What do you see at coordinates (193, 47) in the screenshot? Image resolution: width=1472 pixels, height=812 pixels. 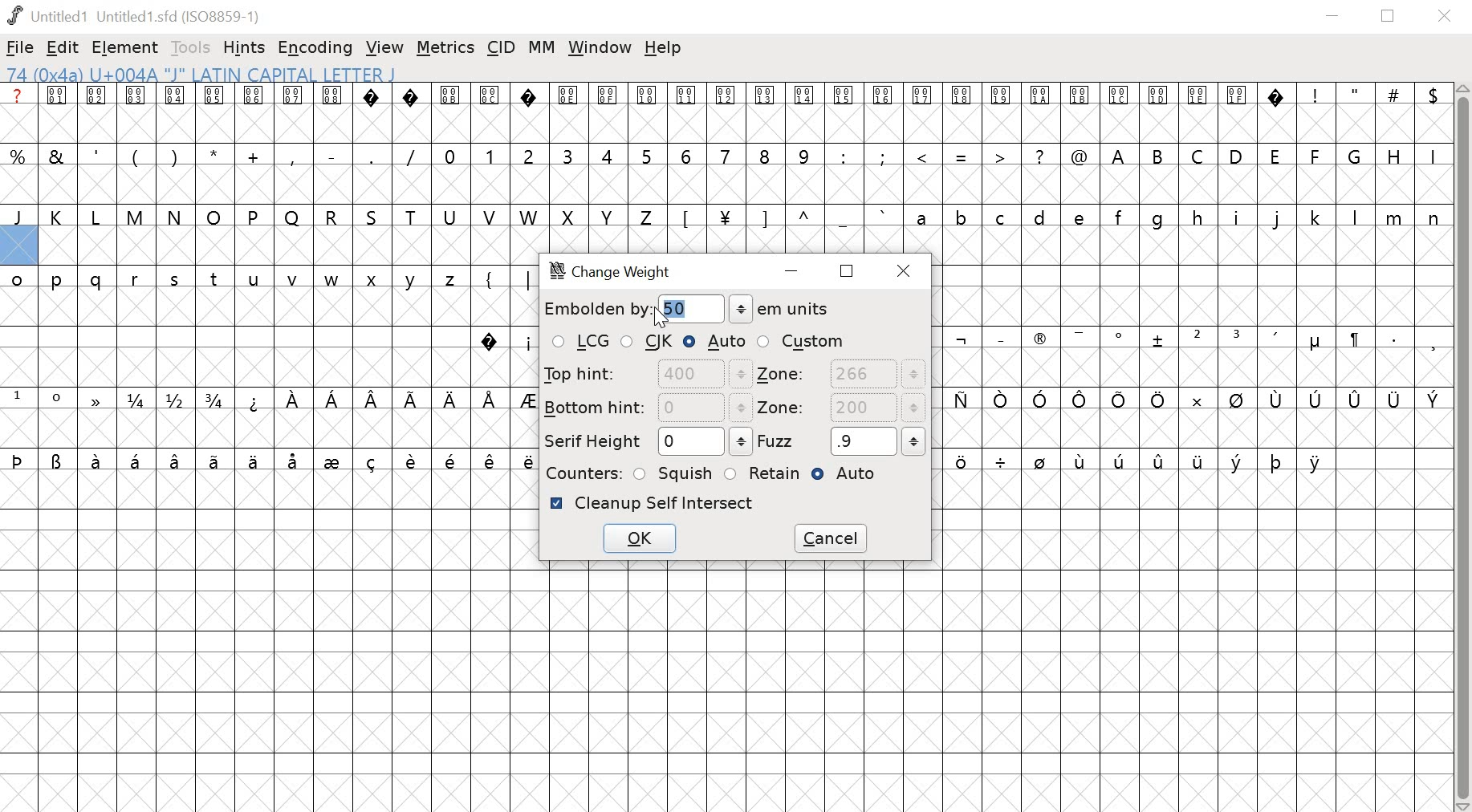 I see `TOOLS` at bounding box center [193, 47].